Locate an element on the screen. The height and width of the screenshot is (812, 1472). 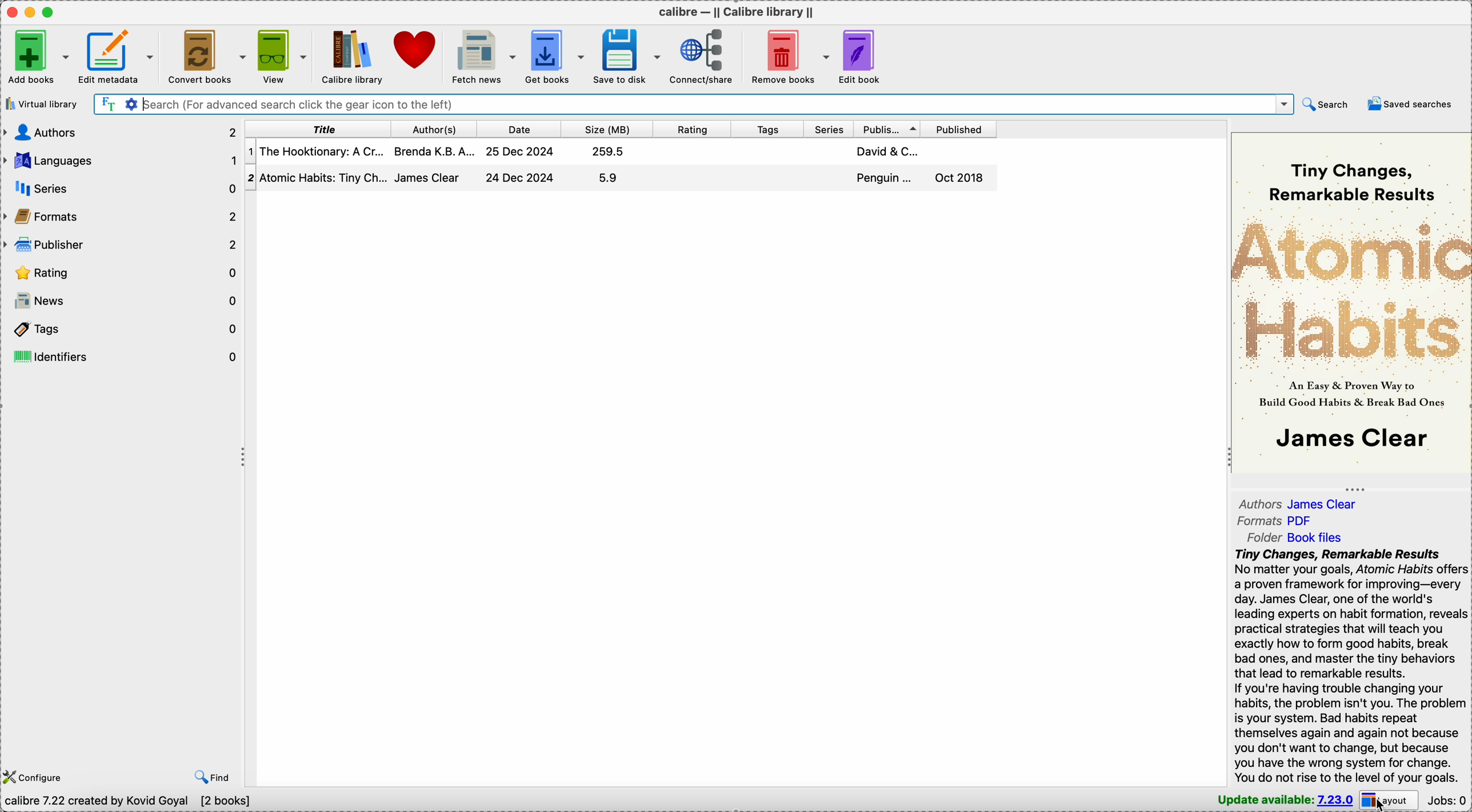
the hooktionary: a cr.. is located at coordinates (323, 152).